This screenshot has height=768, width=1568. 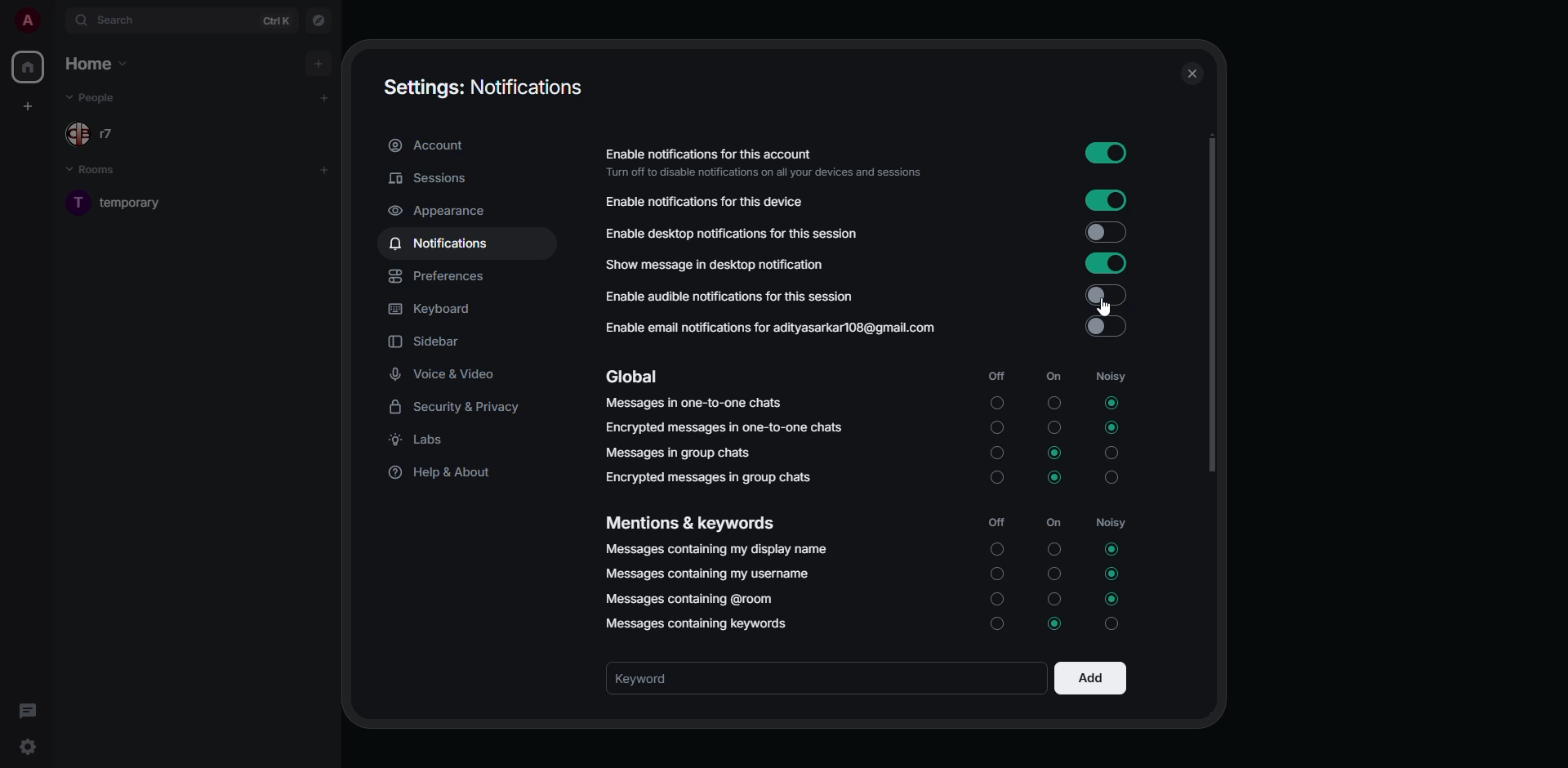 I want to click on noisy, so click(x=1112, y=525).